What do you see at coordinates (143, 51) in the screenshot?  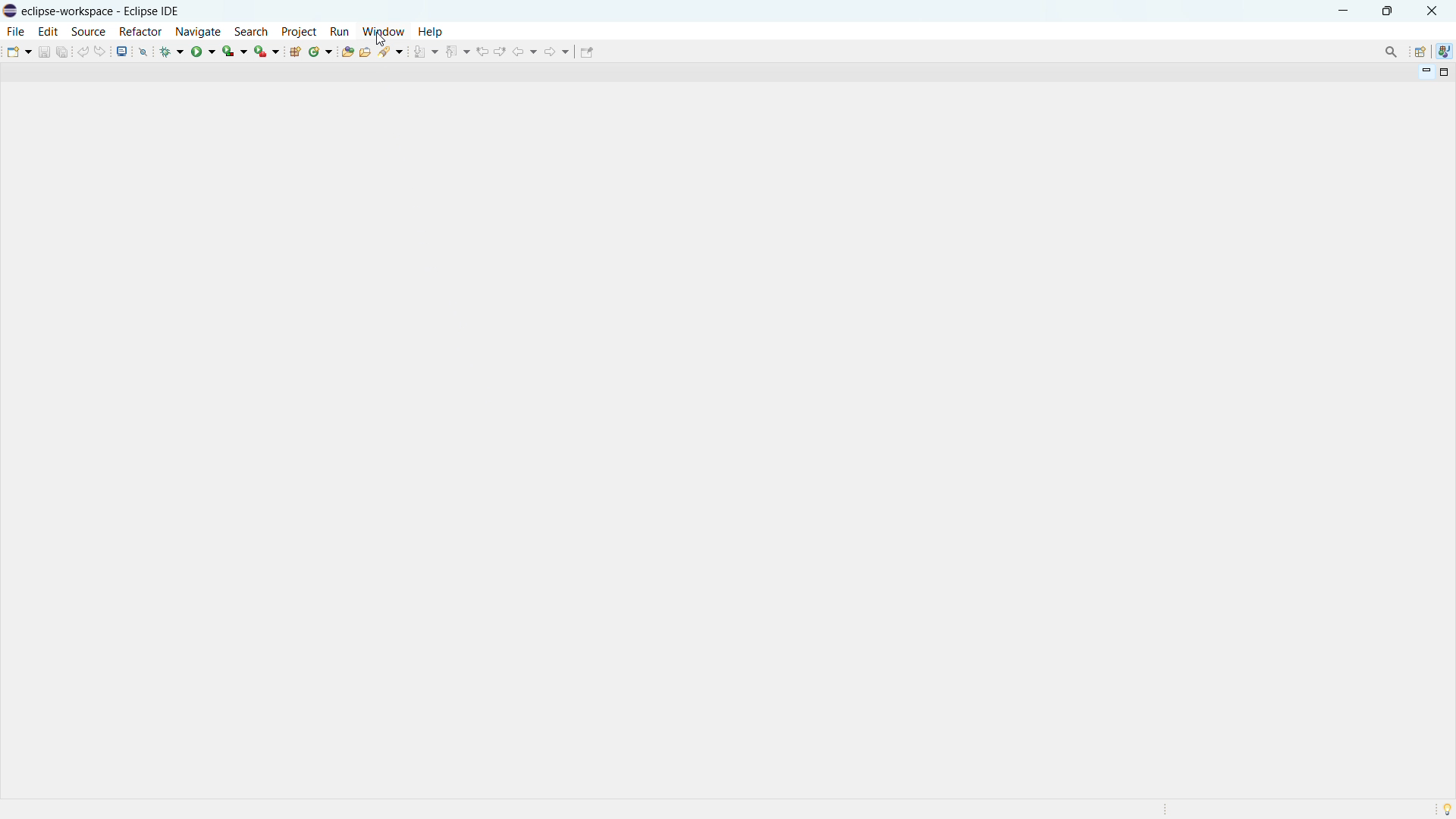 I see `skip all breakopoints` at bounding box center [143, 51].